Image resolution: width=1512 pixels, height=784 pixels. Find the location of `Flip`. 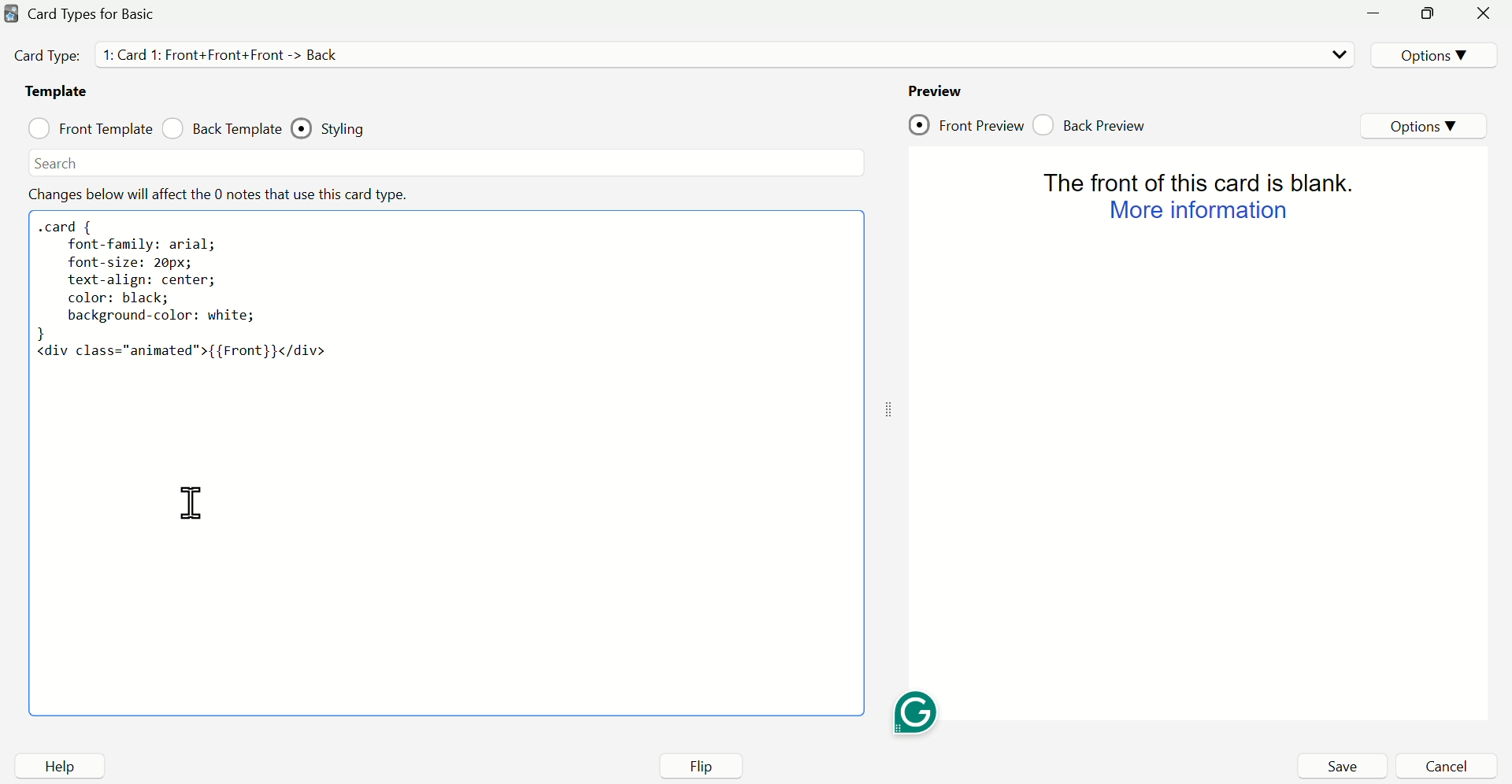

Flip is located at coordinates (705, 764).